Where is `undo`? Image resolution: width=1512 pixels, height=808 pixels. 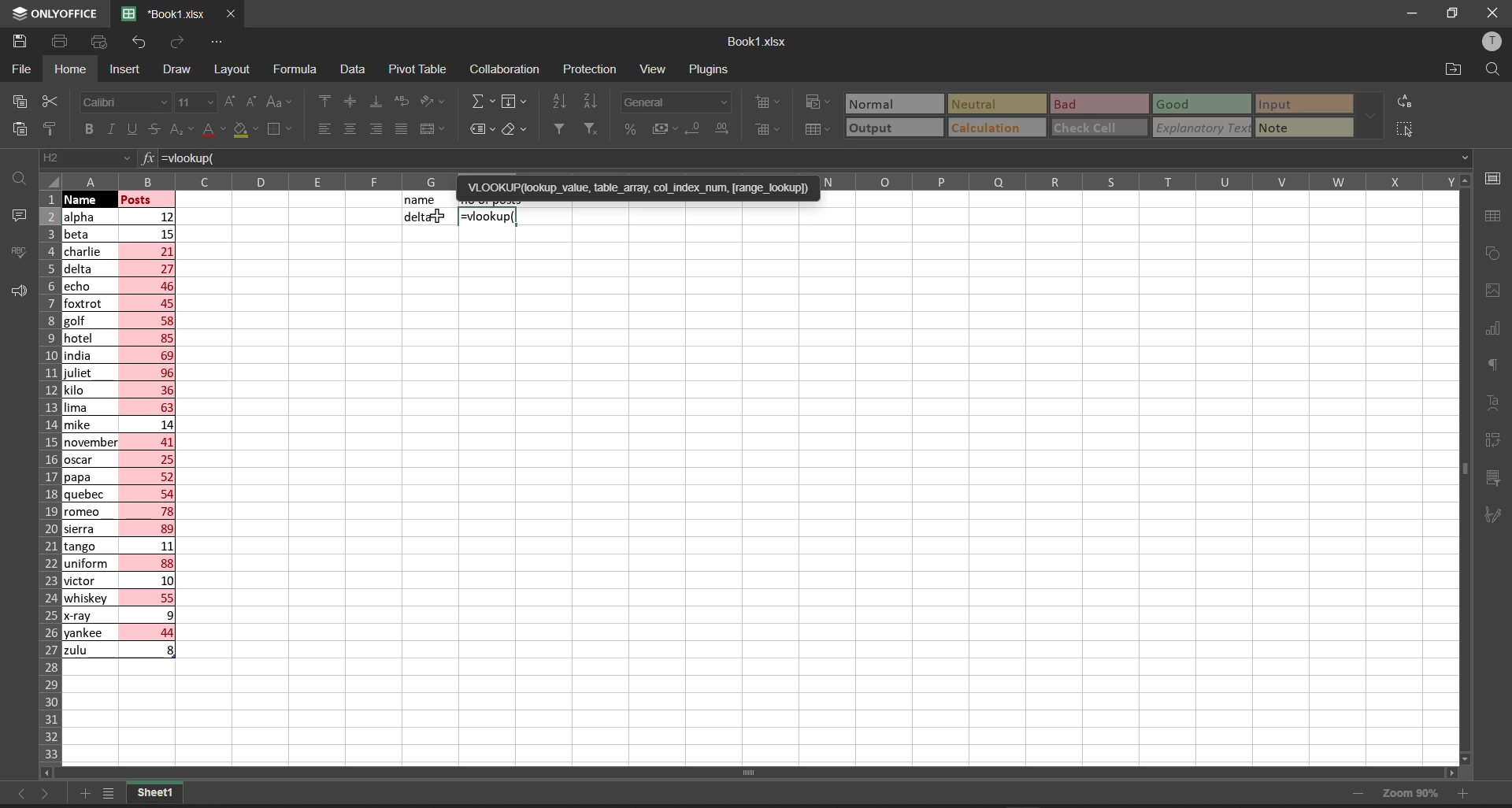
undo is located at coordinates (138, 45).